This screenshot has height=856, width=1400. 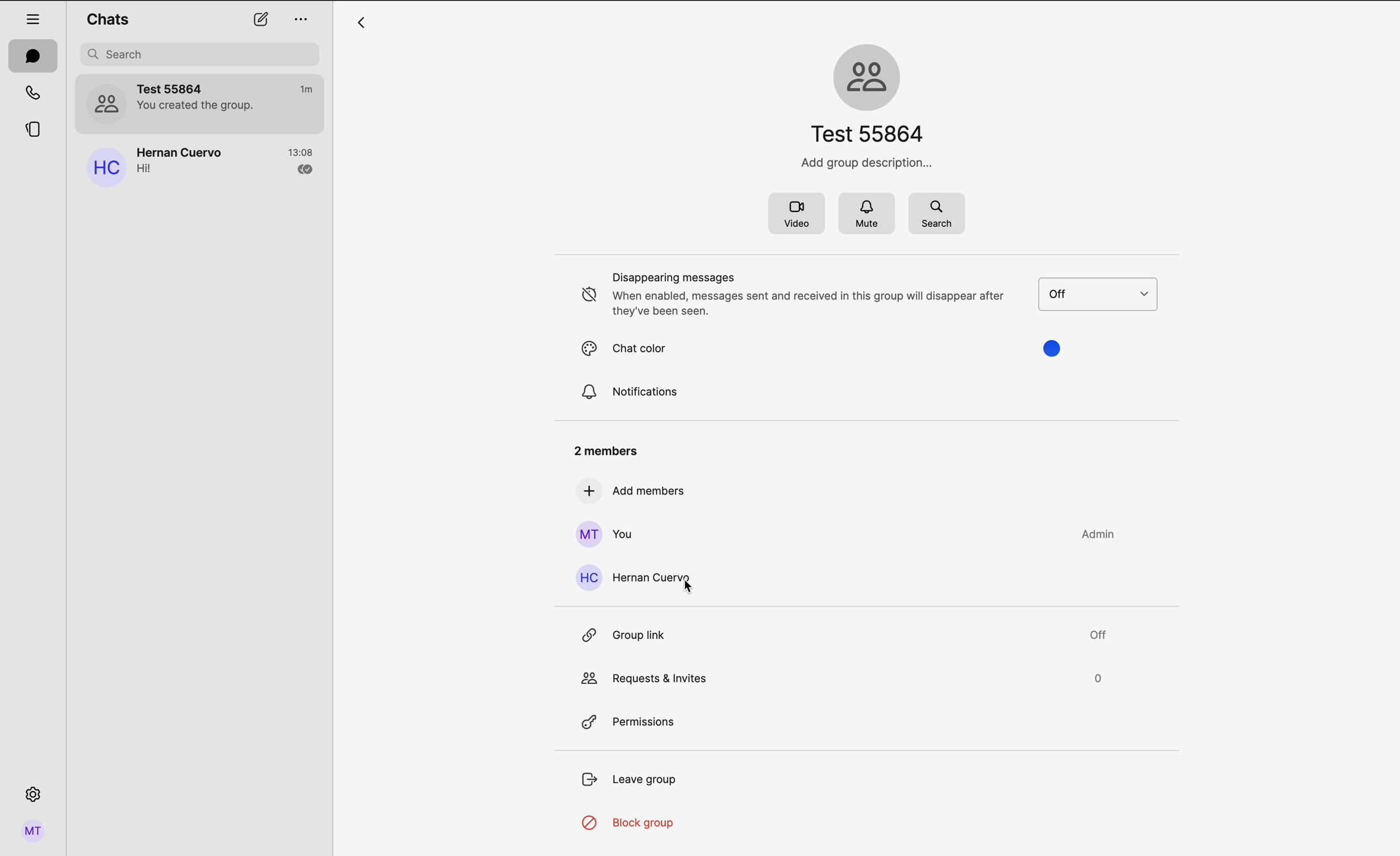 What do you see at coordinates (632, 491) in the screenshot?
I see `add members` at bounding box center [632, 491].